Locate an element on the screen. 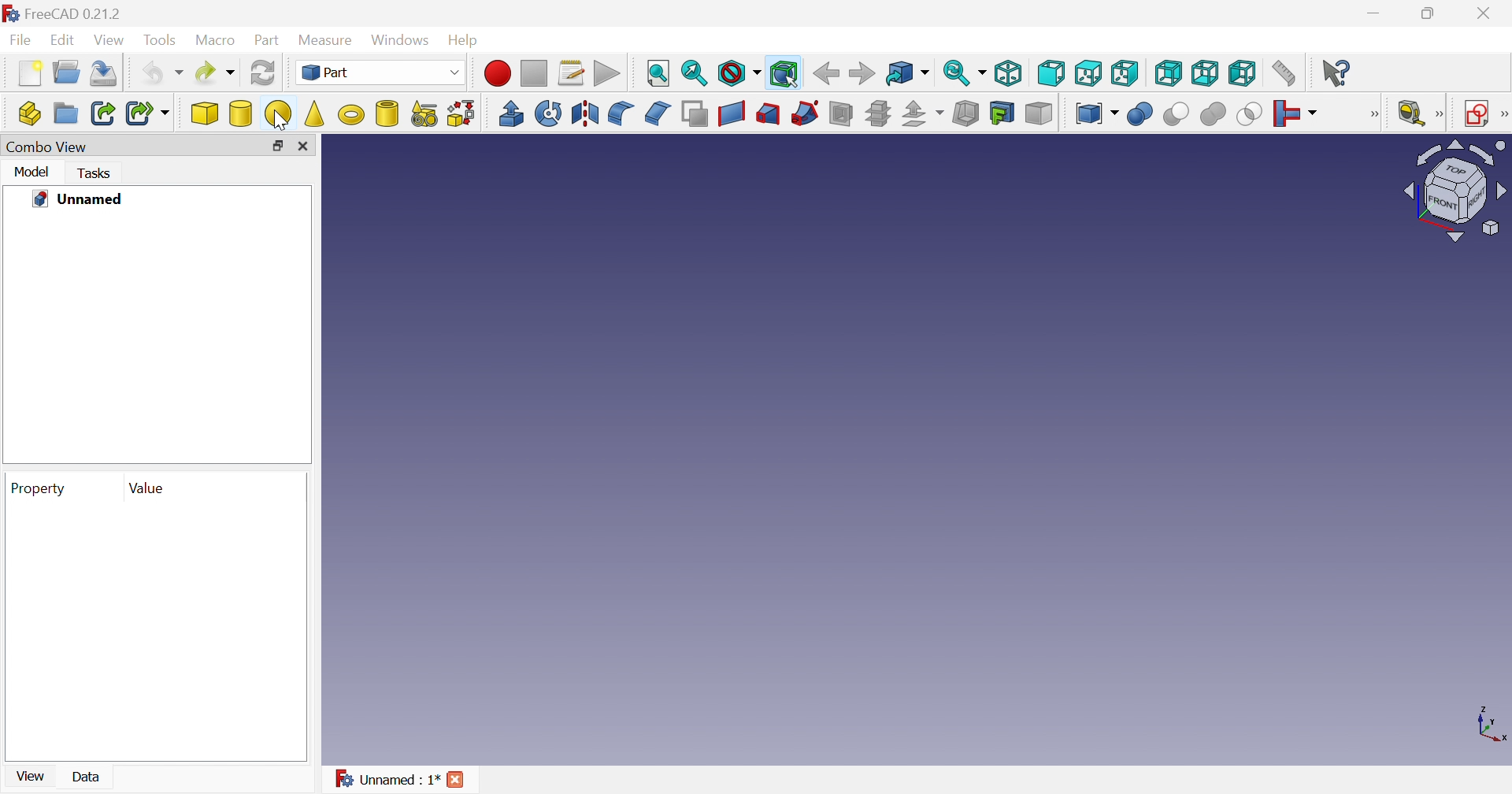 The image size is (1512, 794). Create tube is located at coordinates (387, 113).